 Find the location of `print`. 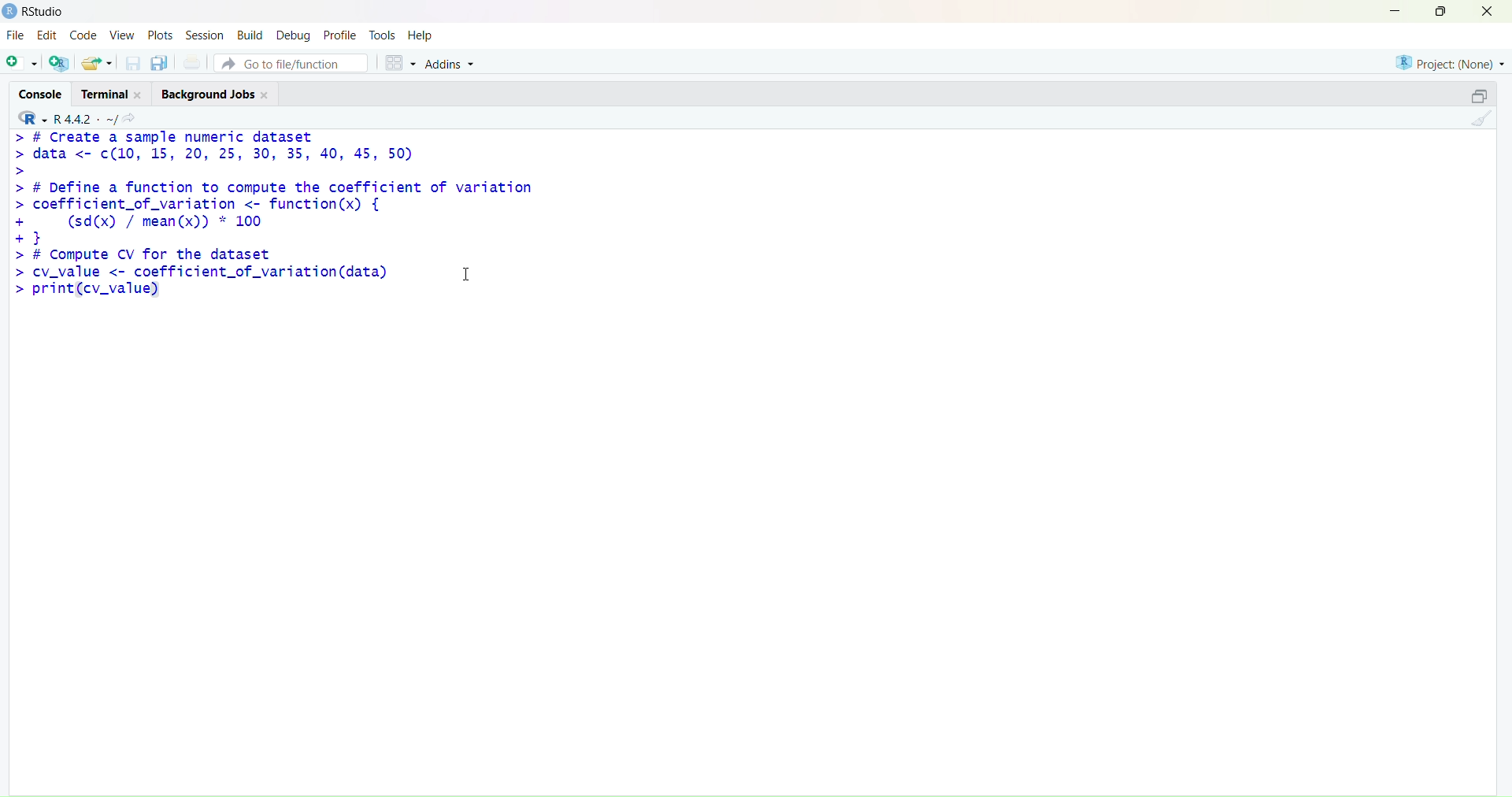

print is located at coordinates (193, 62).